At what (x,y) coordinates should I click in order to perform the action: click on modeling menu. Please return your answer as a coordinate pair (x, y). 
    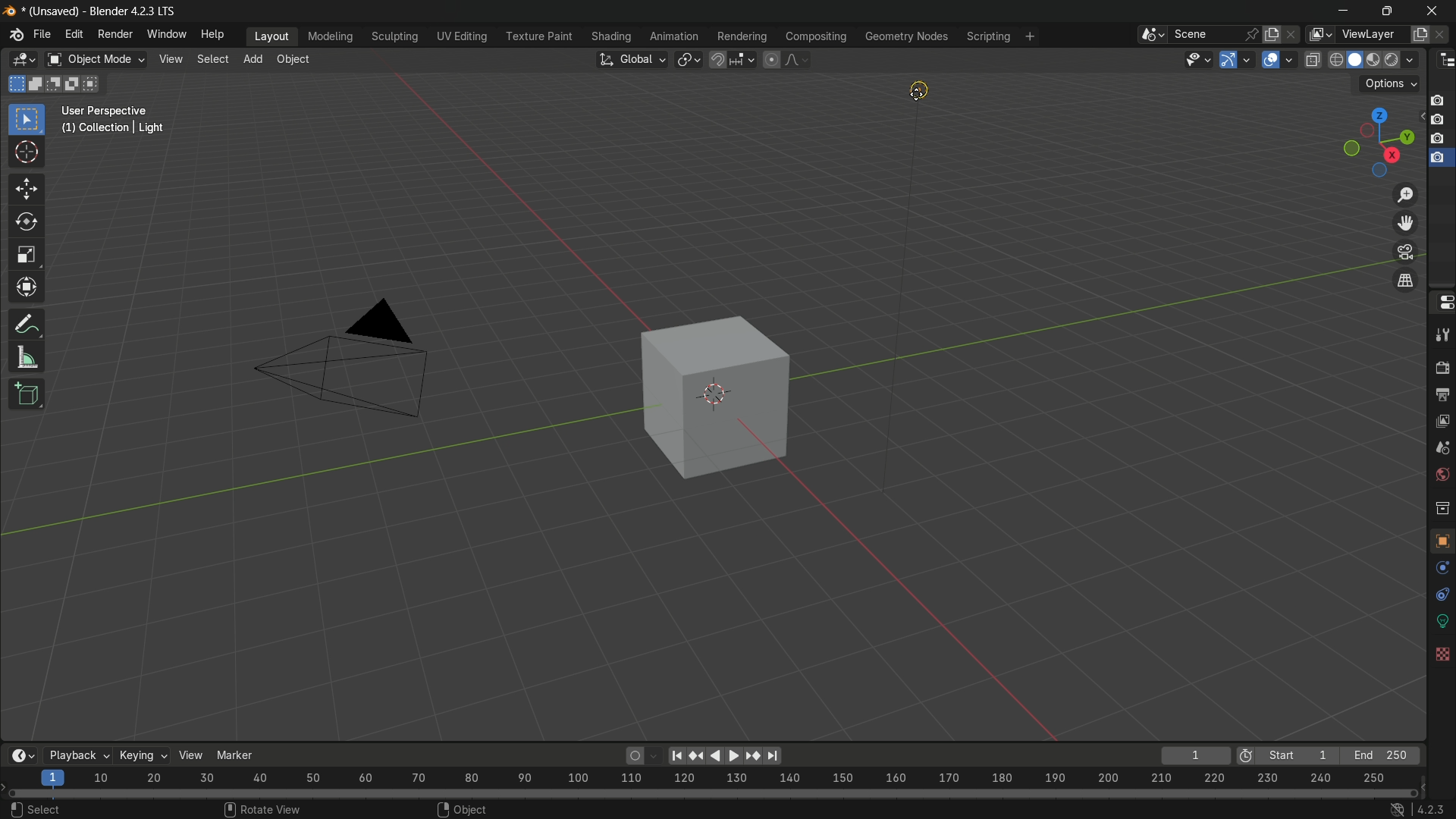
    Looking at the image, I should click on (331, 37).